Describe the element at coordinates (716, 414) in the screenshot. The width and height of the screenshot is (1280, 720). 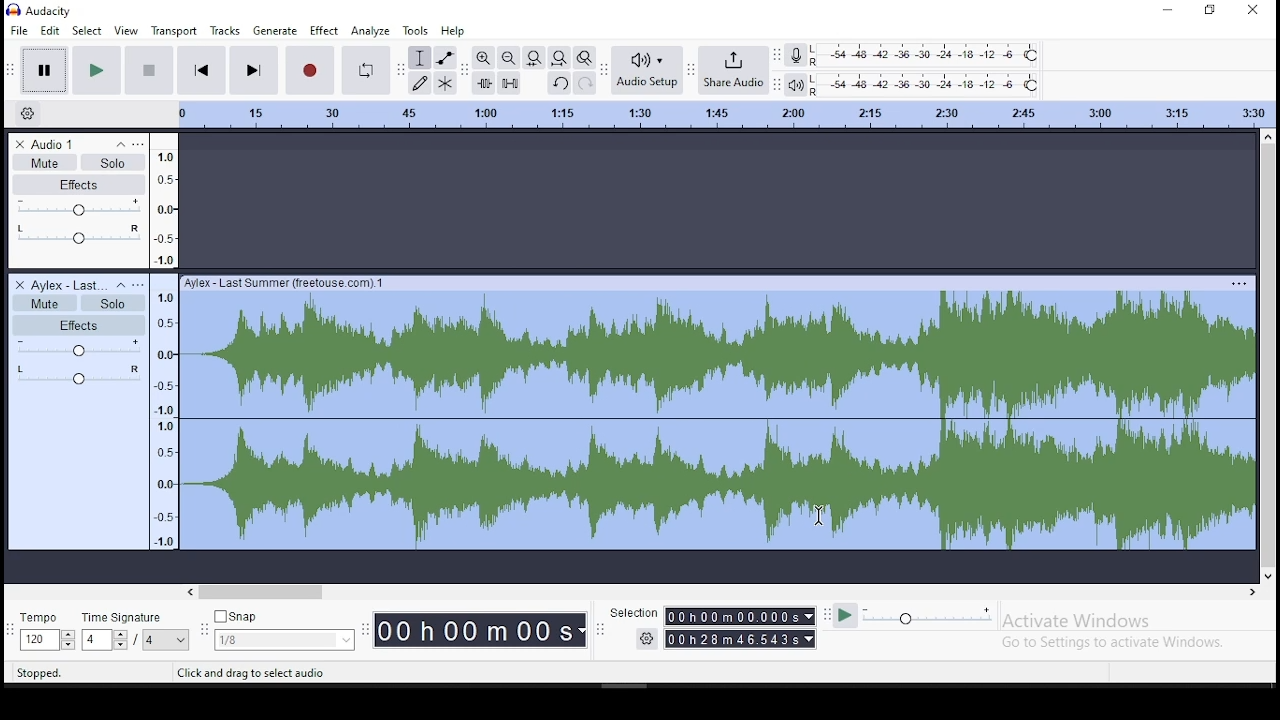
I see `audio track` at that location.